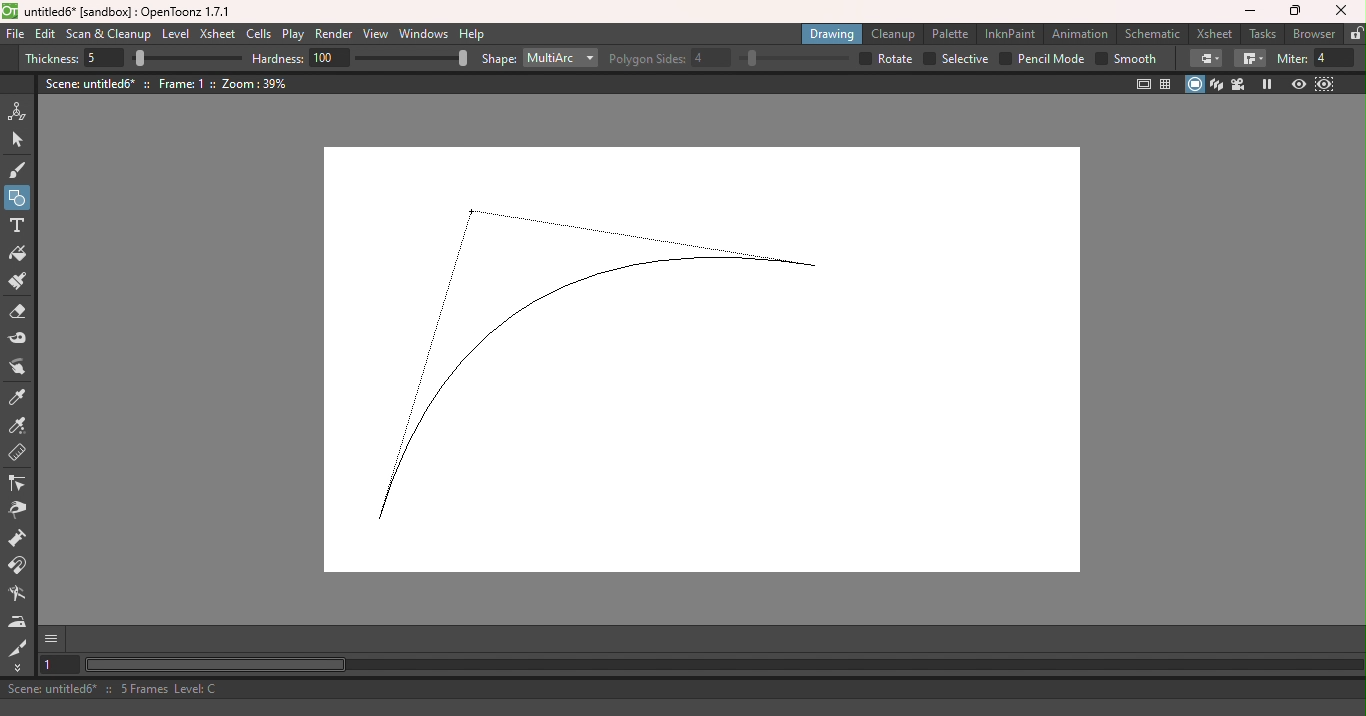 The width and height of the screenshot is (1366, 716). Describe the element at coordinates (258, 35) in the screenshot. I see `Cells` at that location.